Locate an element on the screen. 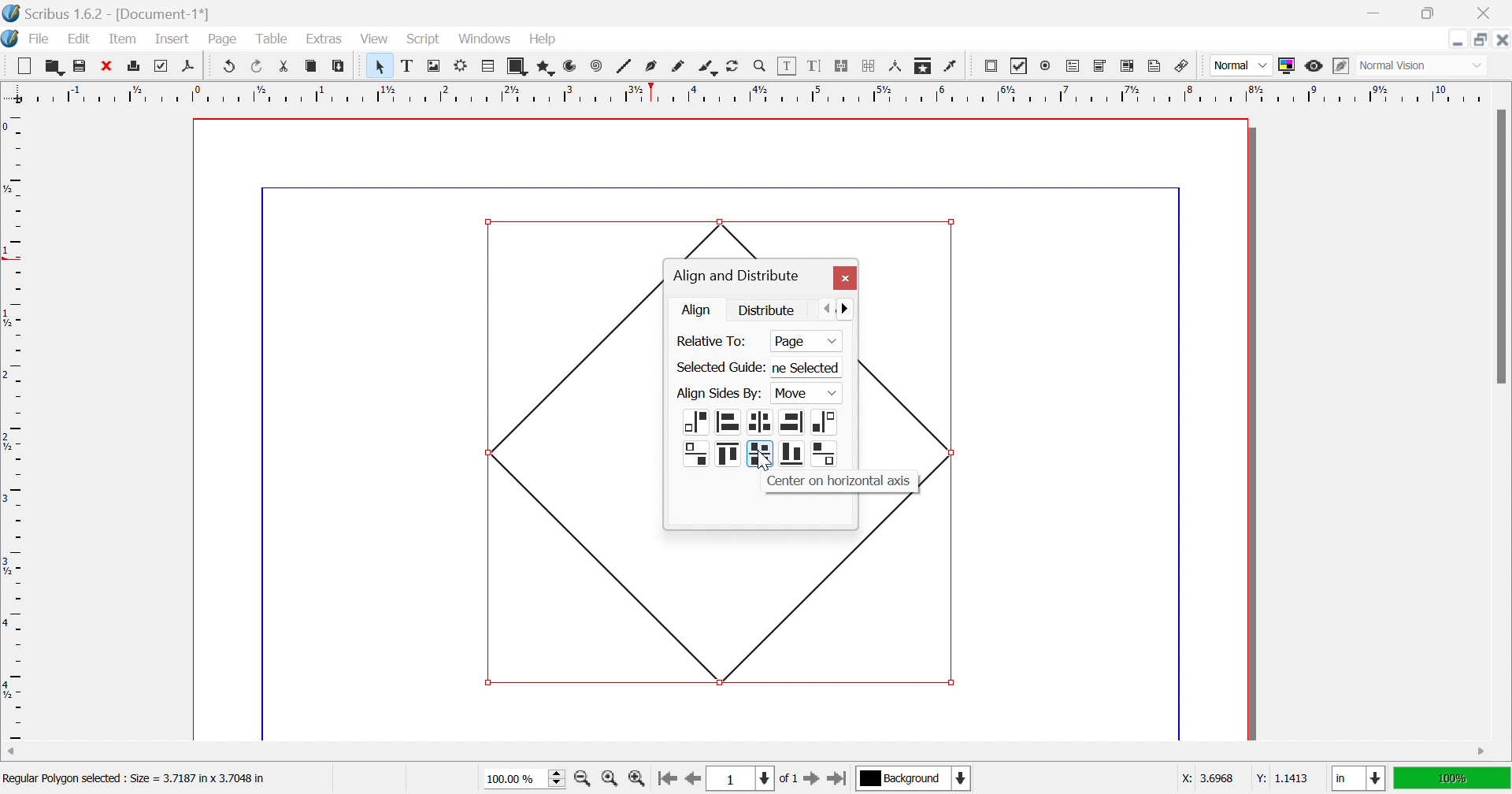  ne Selected is located at coordinates (810, 369).